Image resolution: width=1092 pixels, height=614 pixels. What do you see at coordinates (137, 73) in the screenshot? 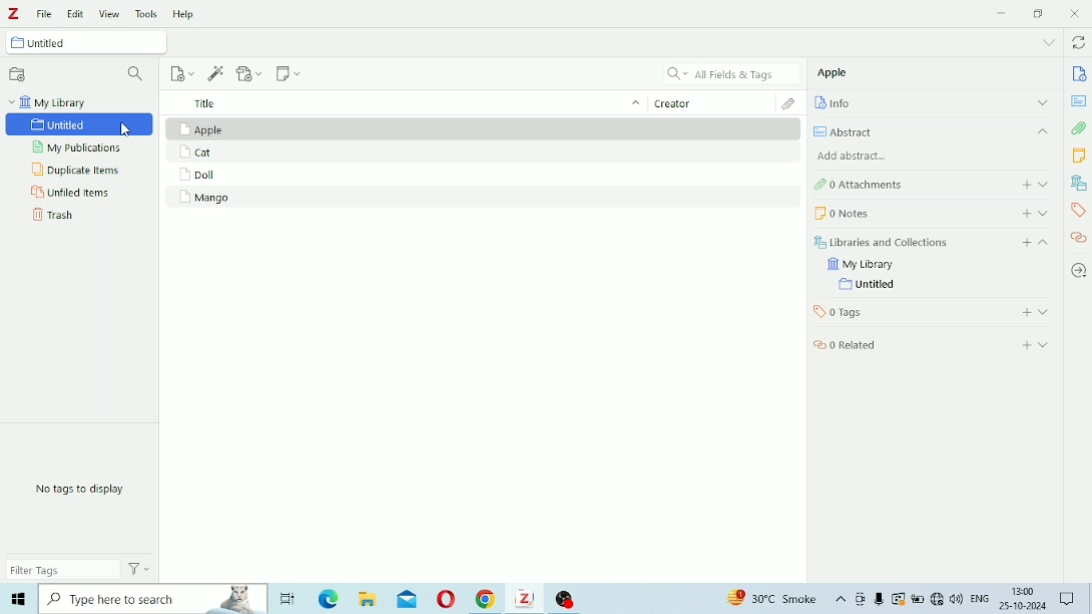
I see `Filter Collections` at bounding box center [137, 73].